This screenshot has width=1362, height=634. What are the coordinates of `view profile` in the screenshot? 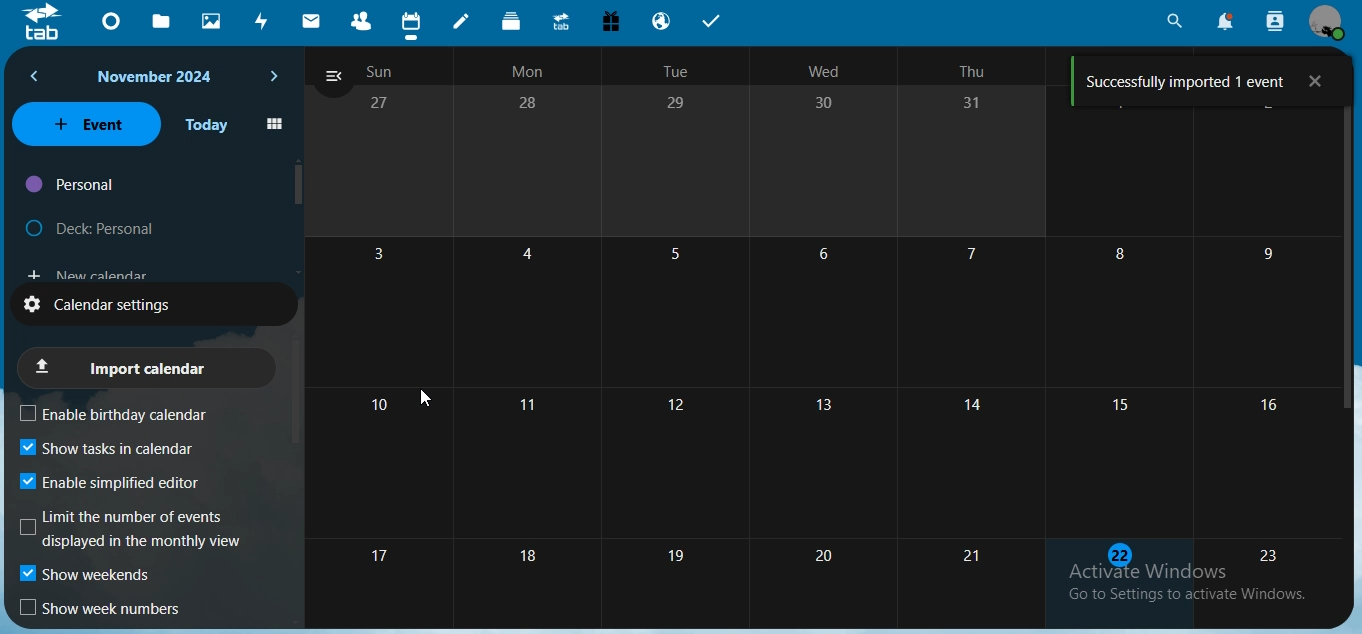 It's located at (1325, 22).